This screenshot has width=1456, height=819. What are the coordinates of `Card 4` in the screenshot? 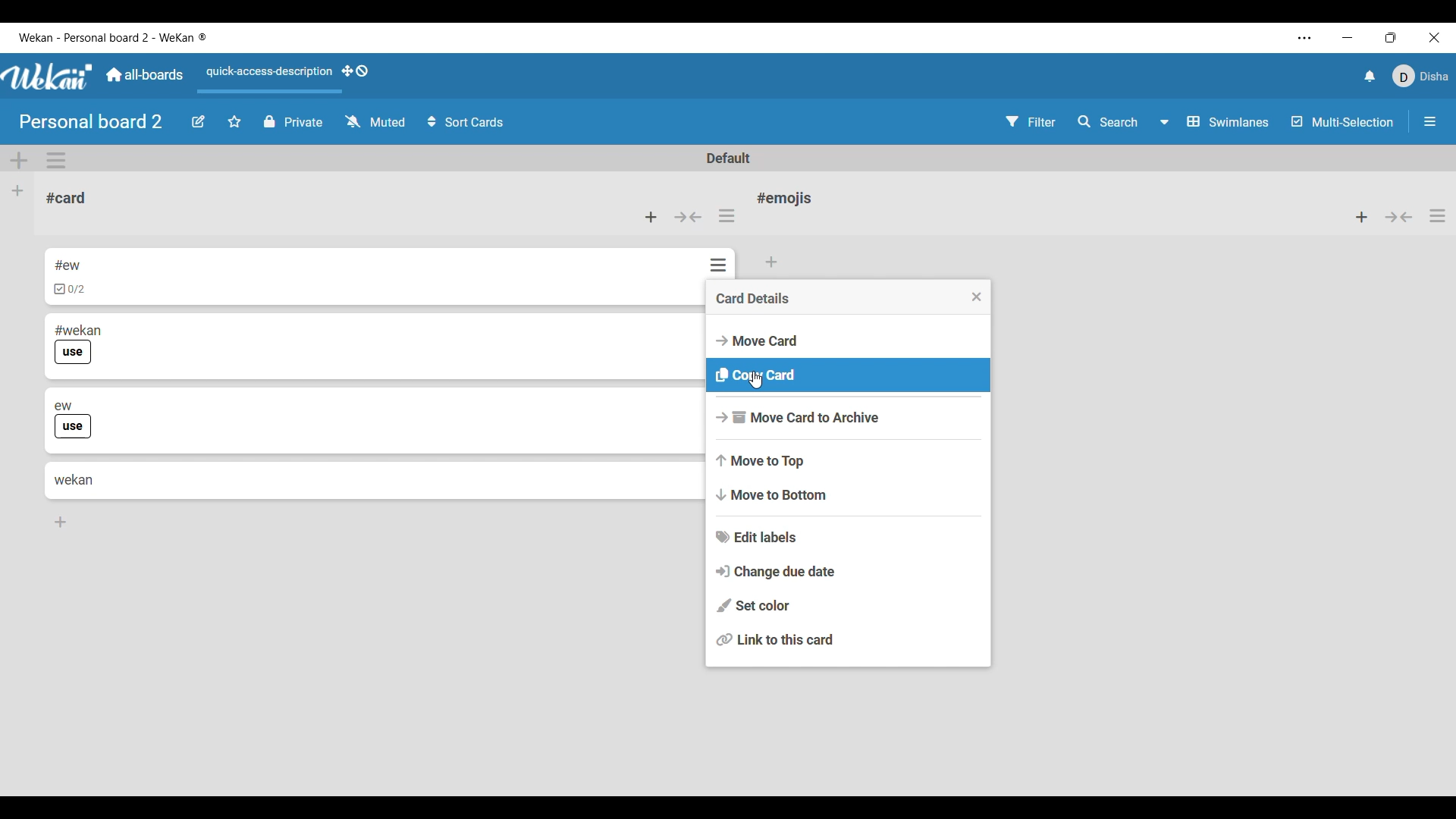 It's located at (74, 479).